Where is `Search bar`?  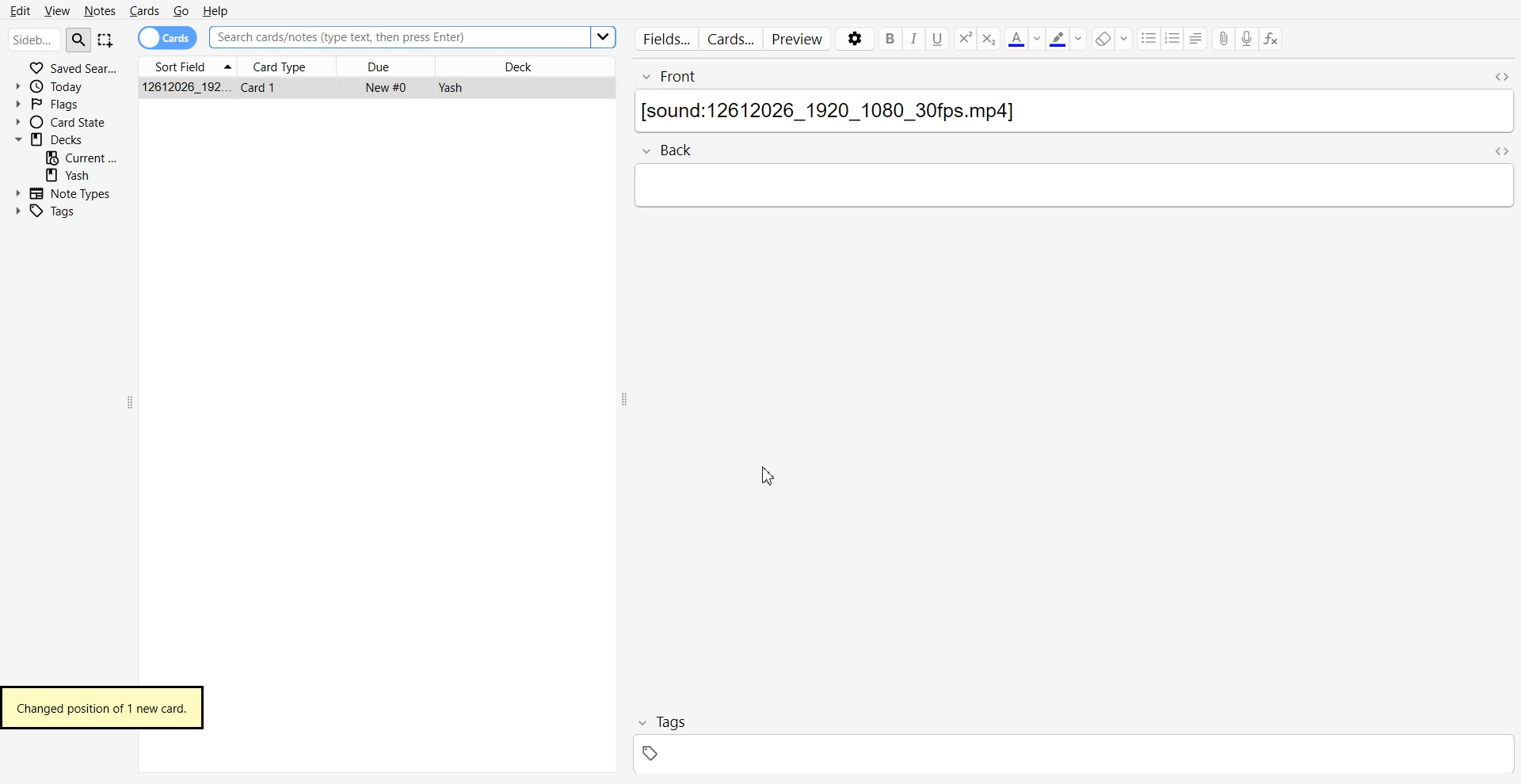 Search bar is located at coordinates (34, 41).